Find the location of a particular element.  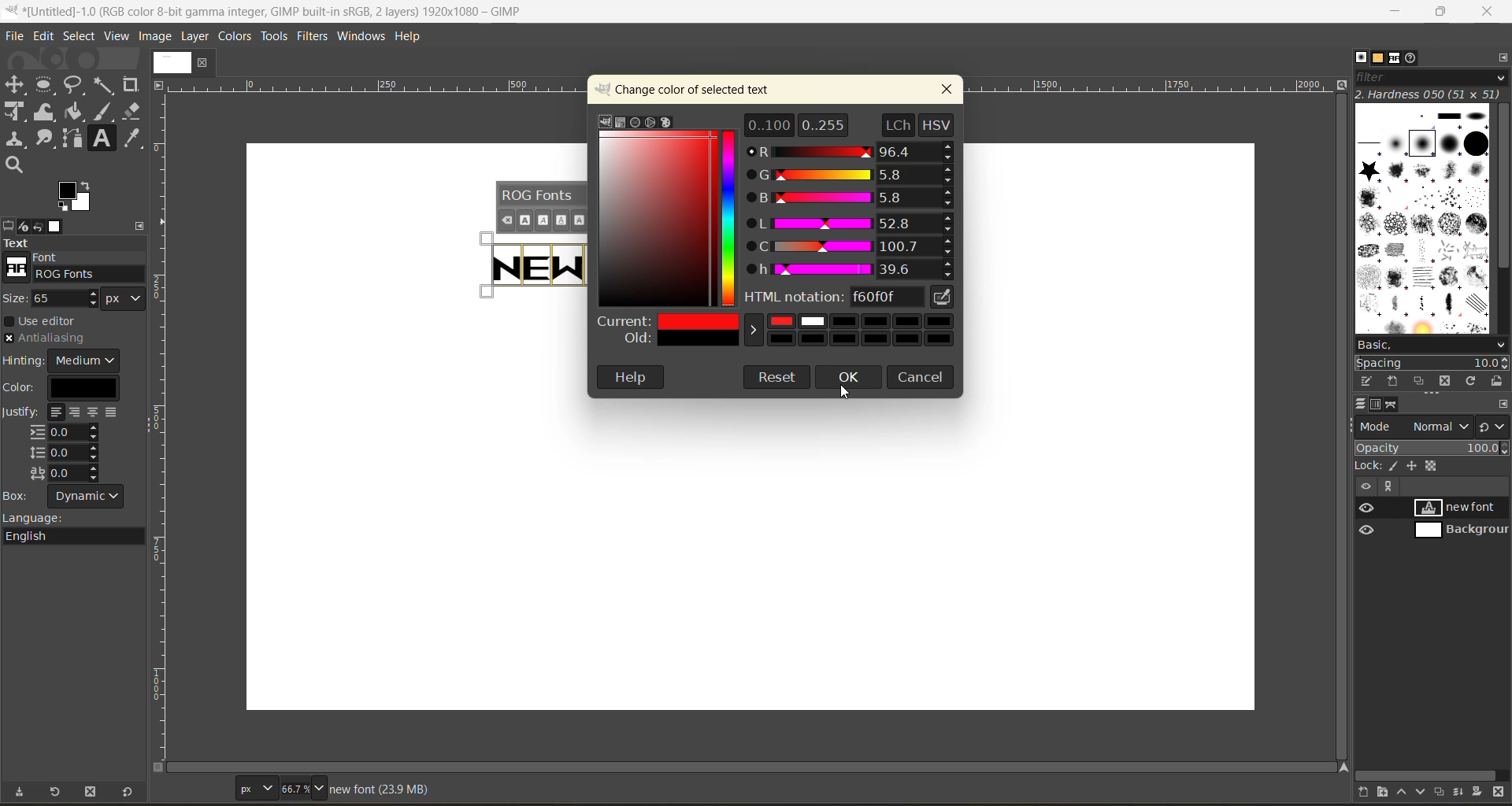

add a mask is located at coordinates (1479, 790).